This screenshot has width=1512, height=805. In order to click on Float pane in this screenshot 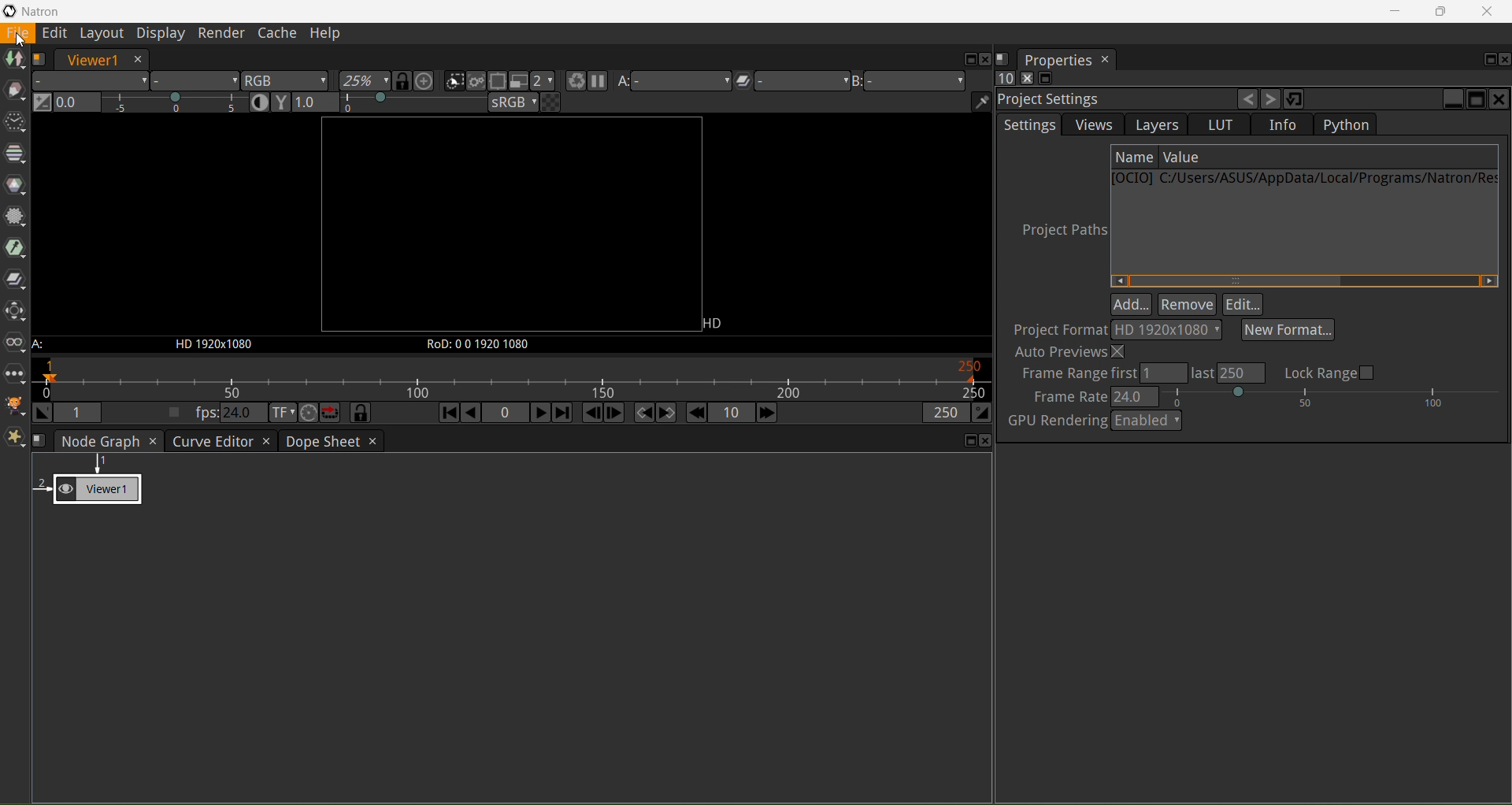, I will do `click(965, 58)`.